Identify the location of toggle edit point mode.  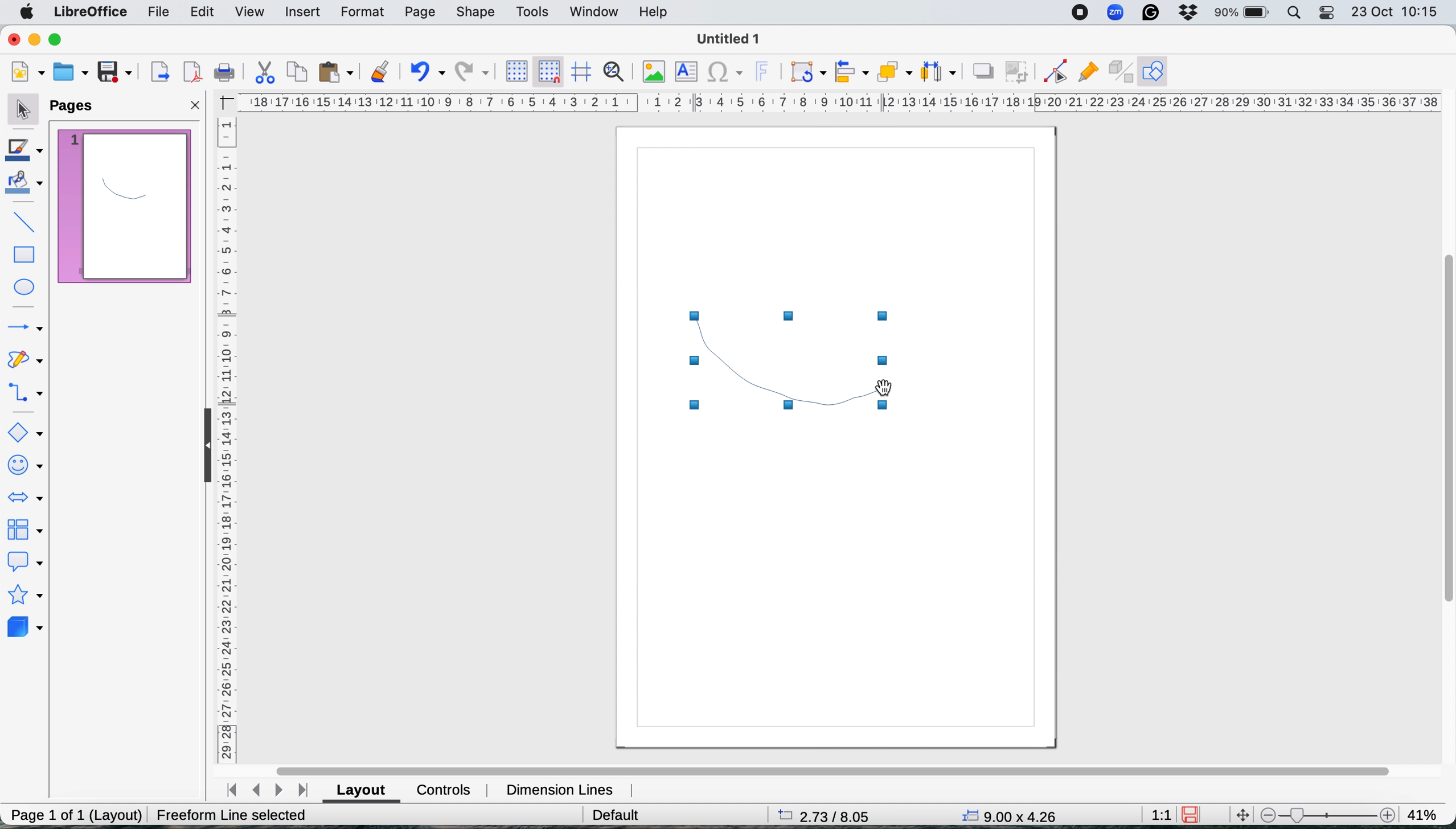
(1053, 71).